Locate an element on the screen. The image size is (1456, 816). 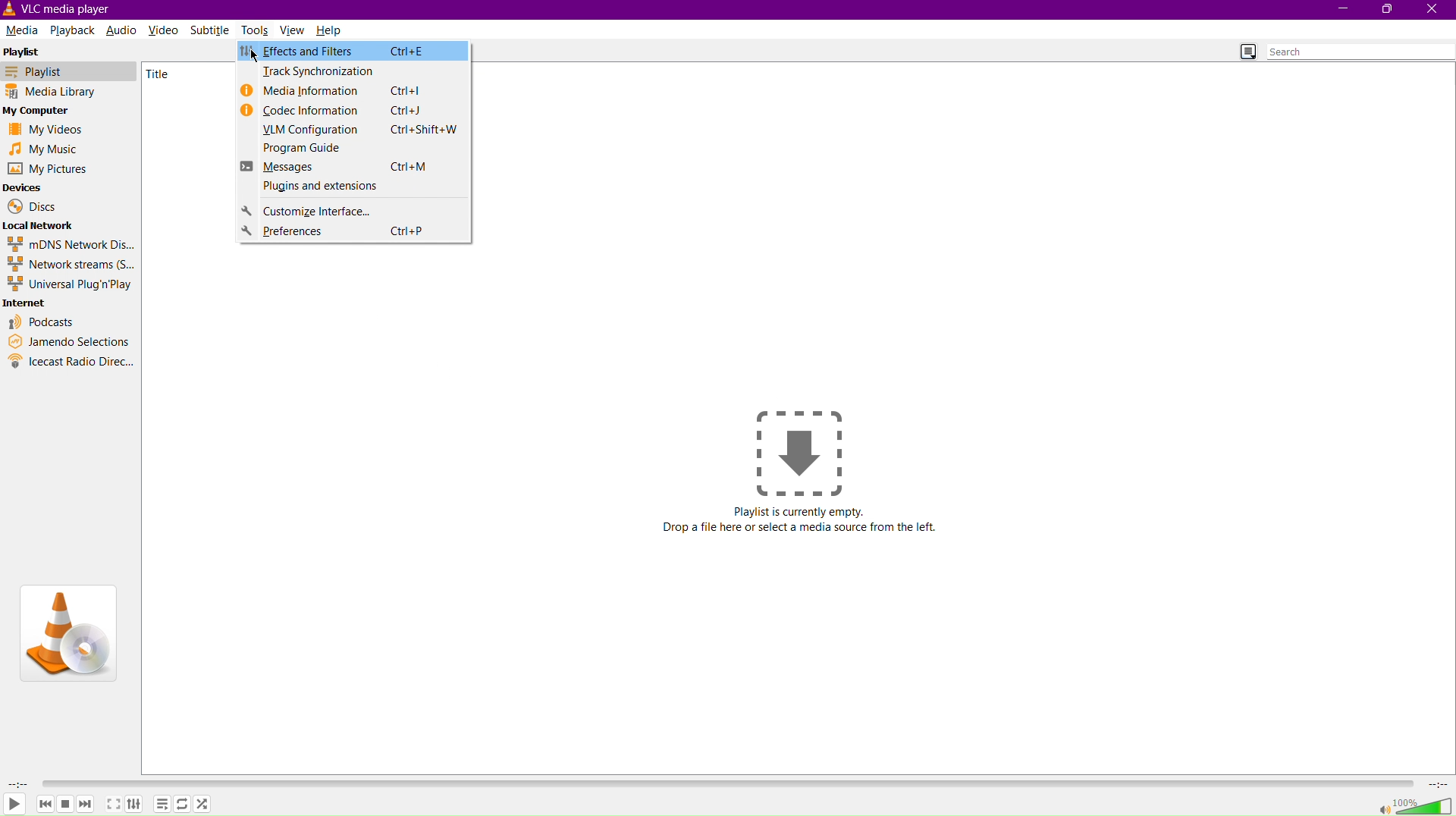
My Computer is located at coordinates (45, 112).